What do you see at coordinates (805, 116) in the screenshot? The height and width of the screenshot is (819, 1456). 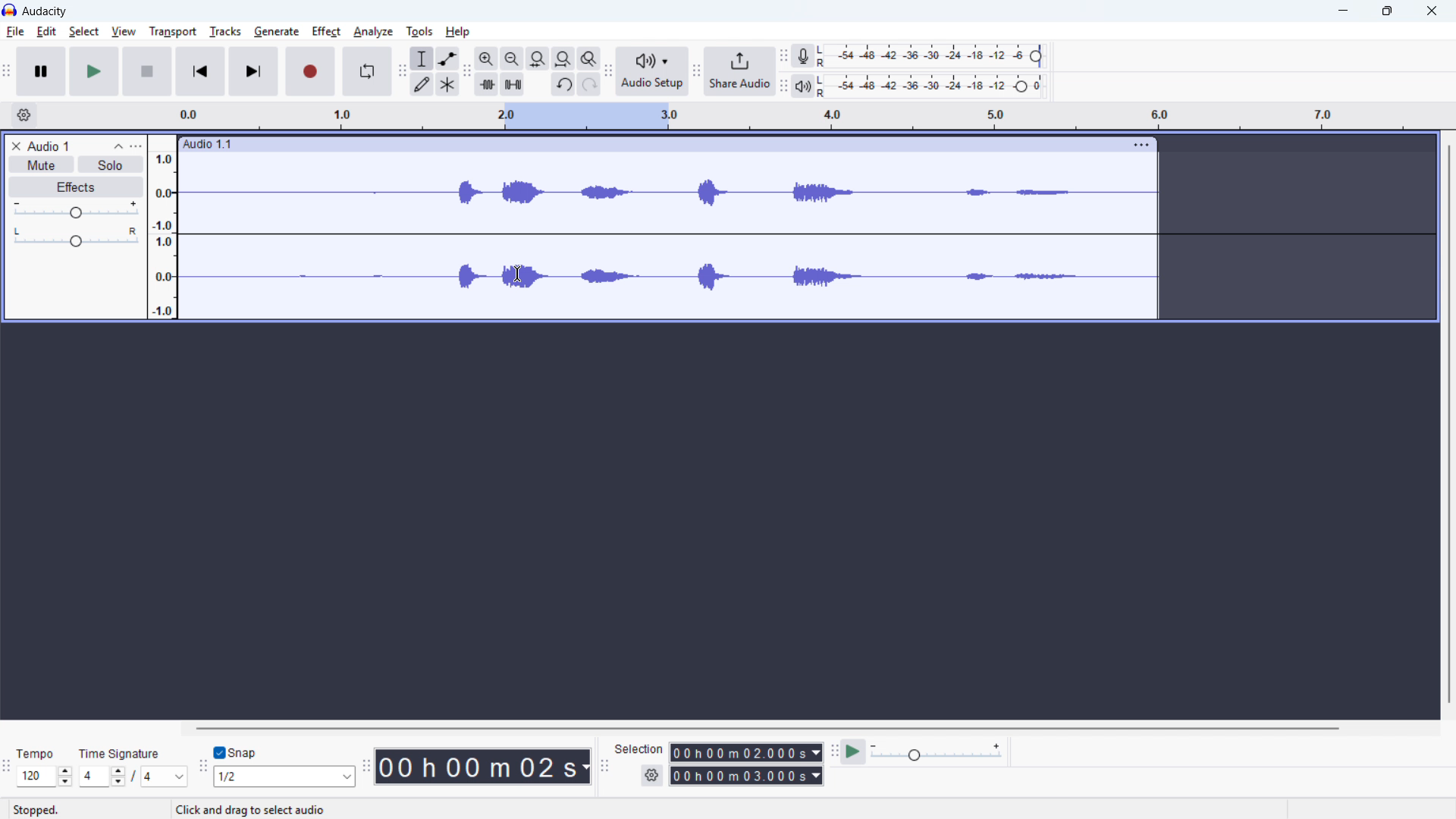 I see `Timeline` at bounding box center [805, 116].